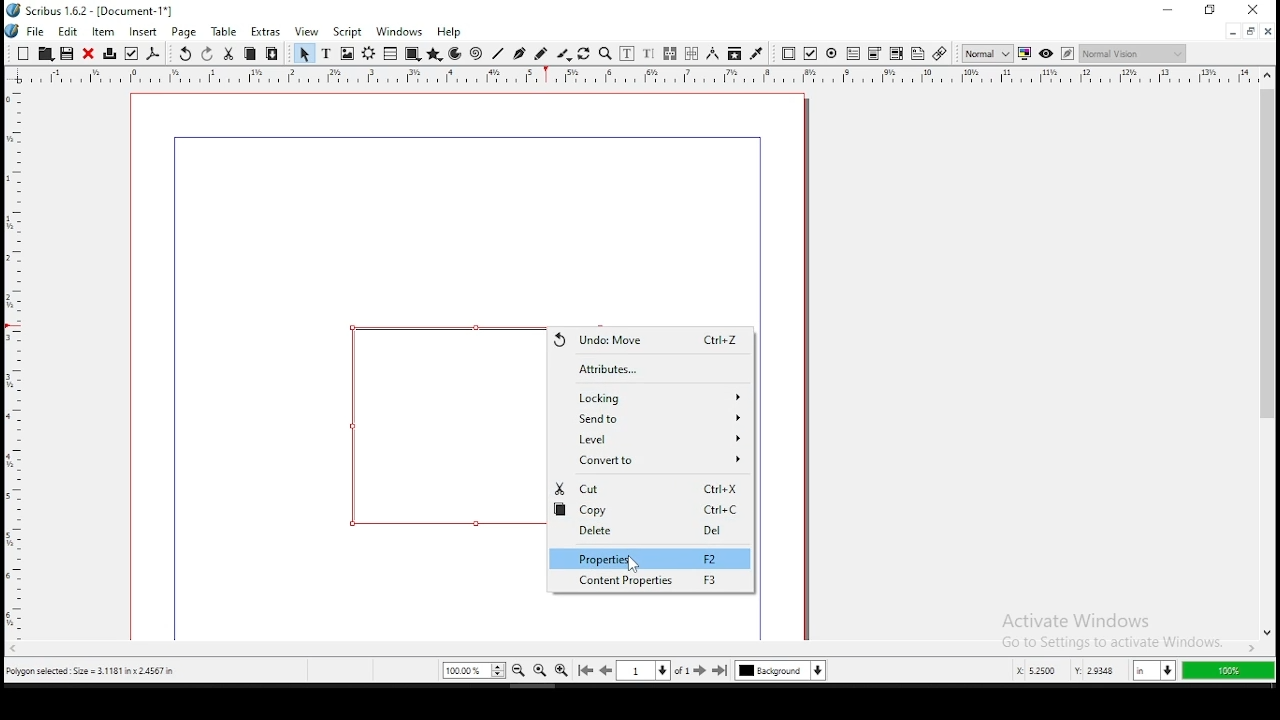 This screenshot has width=1280, height=720. Describe the element at coordinates (734, 54) in the screenshot. I see `copy item properties` at that location.